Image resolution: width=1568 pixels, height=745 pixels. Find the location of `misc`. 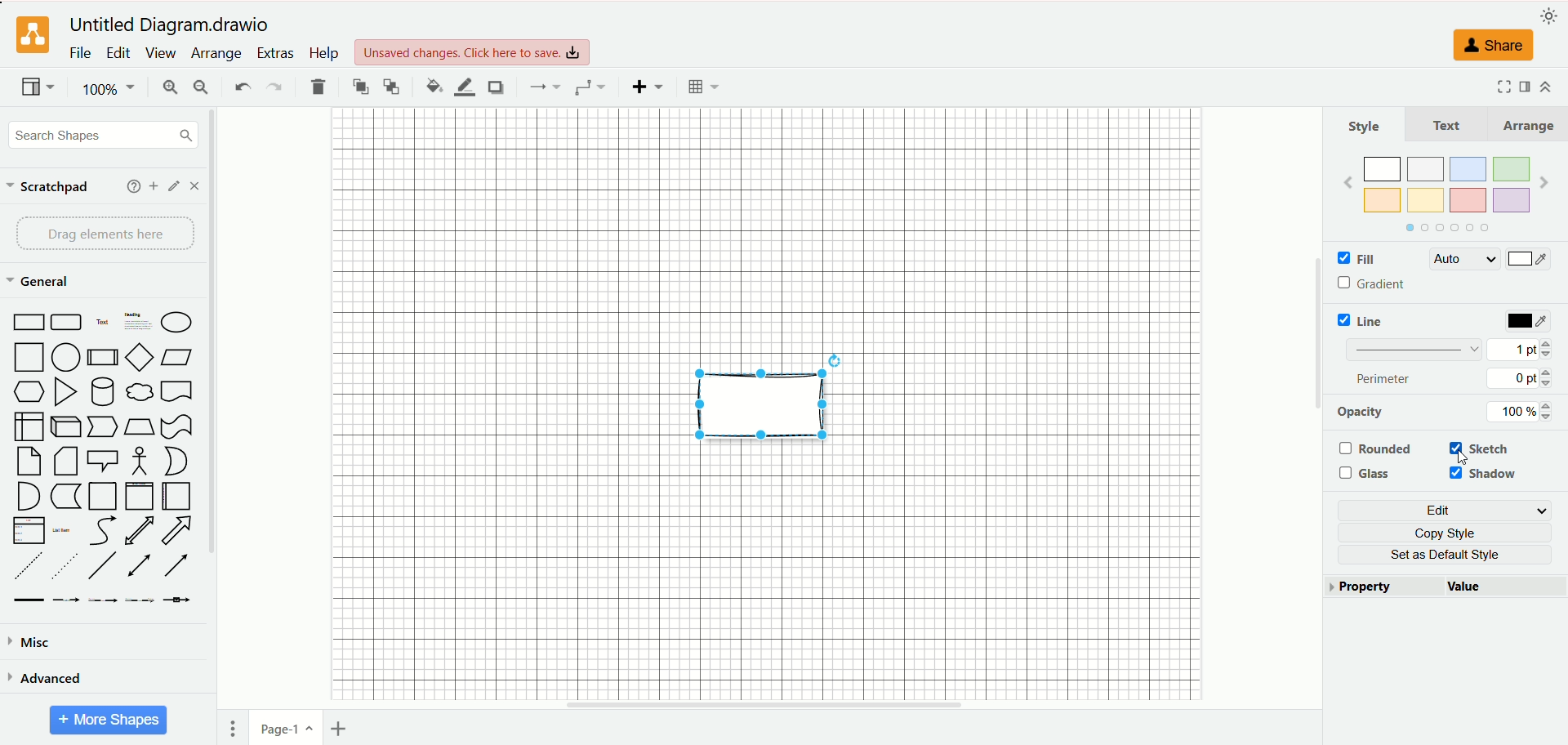

misc is located at coordinates (31, 643).